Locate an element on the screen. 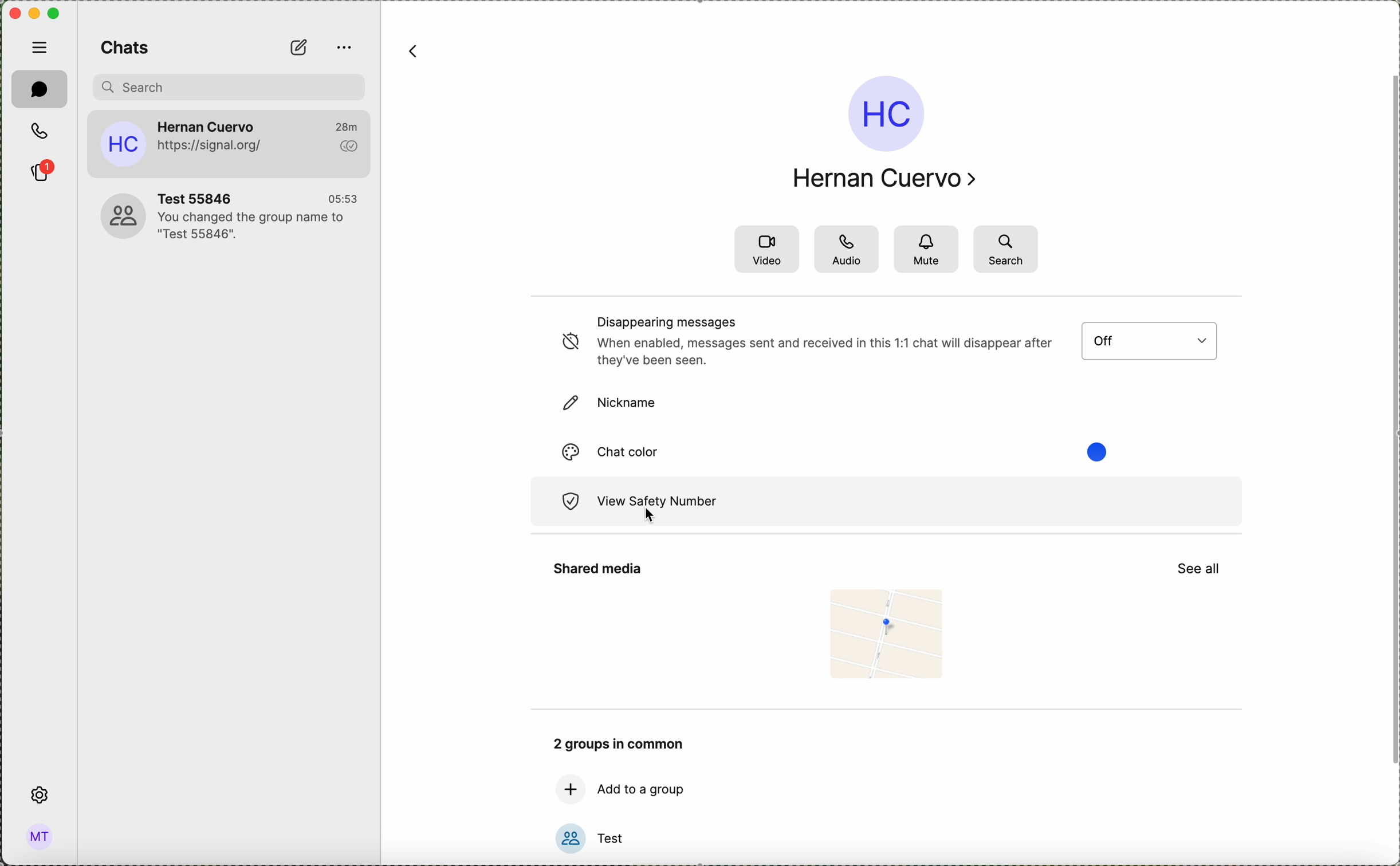 The image size is (1400, 866). profile icon is located at coordinates (122, 144).